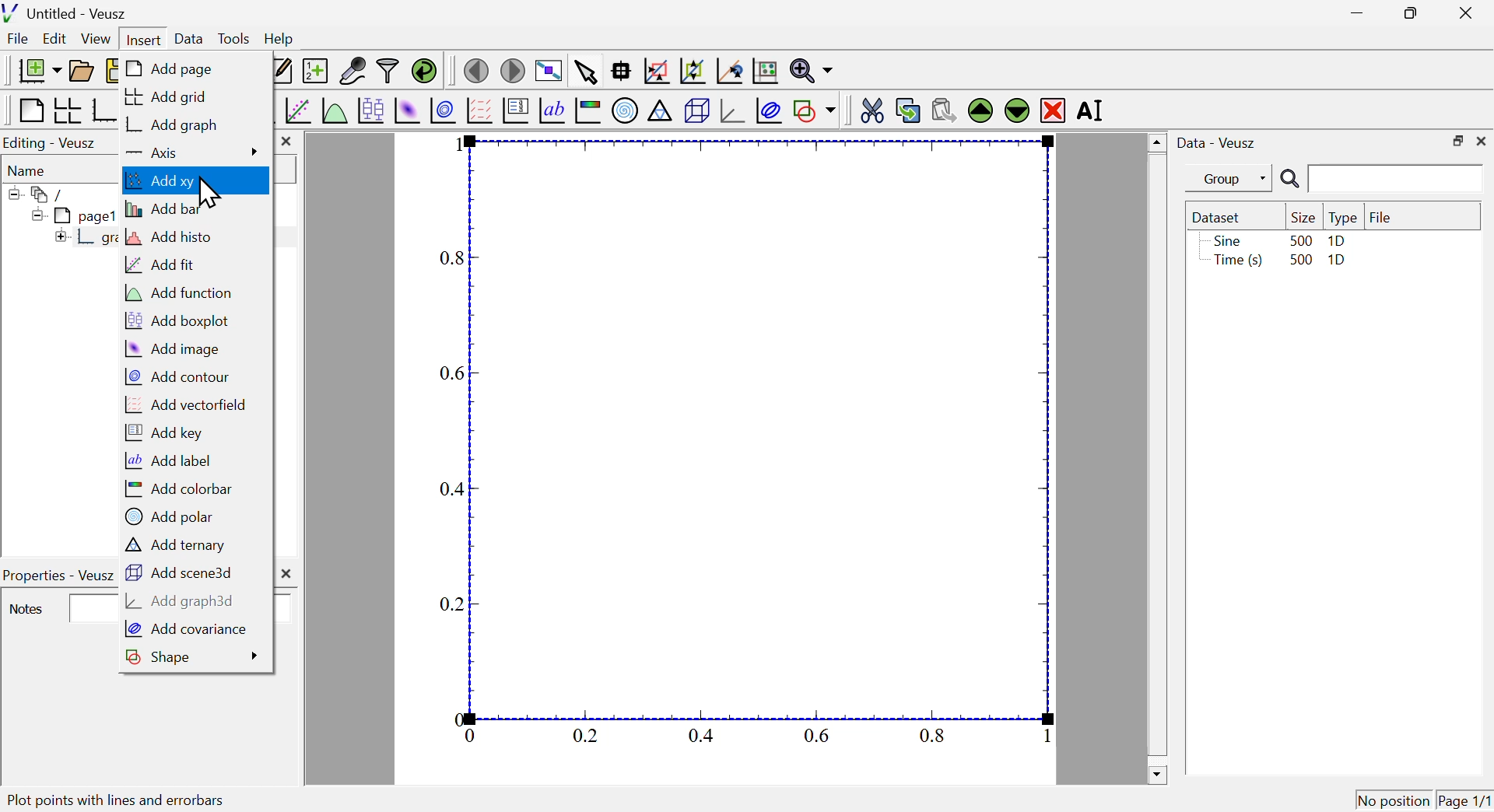 The image size is (1494, 812). Describe the element at coordinates (194, 152) in the screenshot. I see `Axis` at that location.